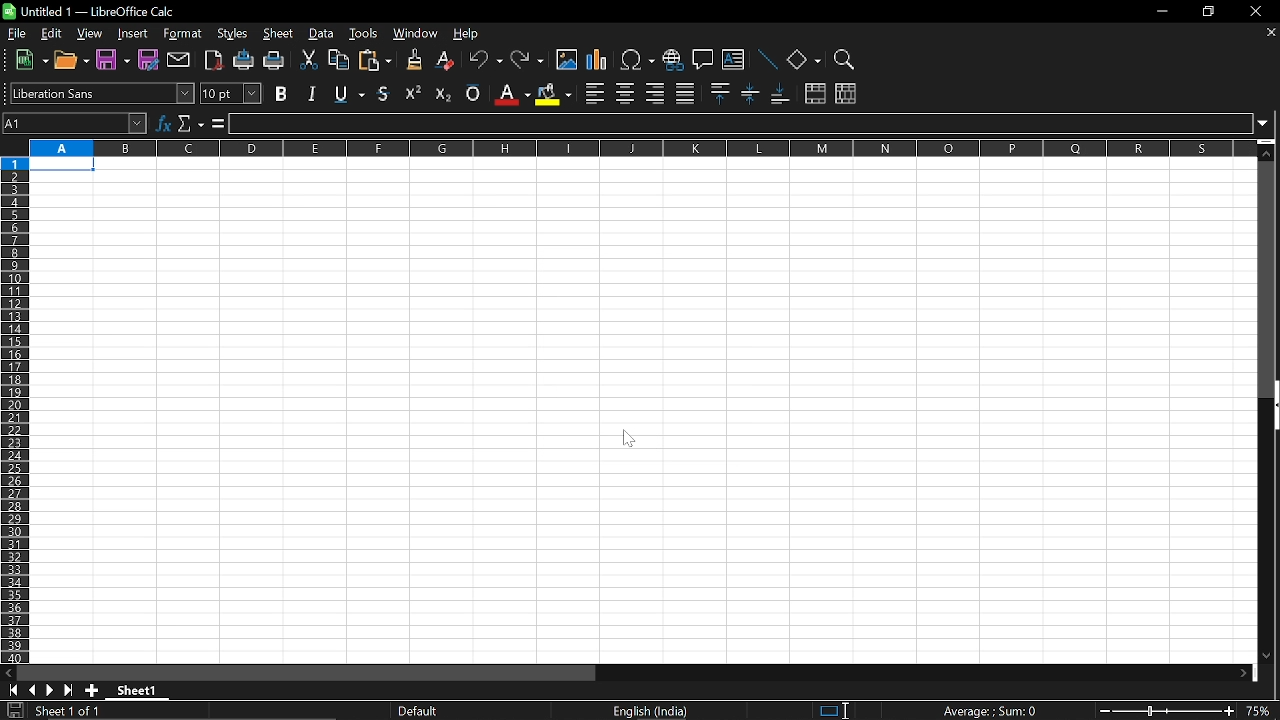 The width and height of the screenshot is (1280, 720). What do you see at coordinates (815, 95) in the screenshot?
I see `merge cells` at bounding box center [815, 95].